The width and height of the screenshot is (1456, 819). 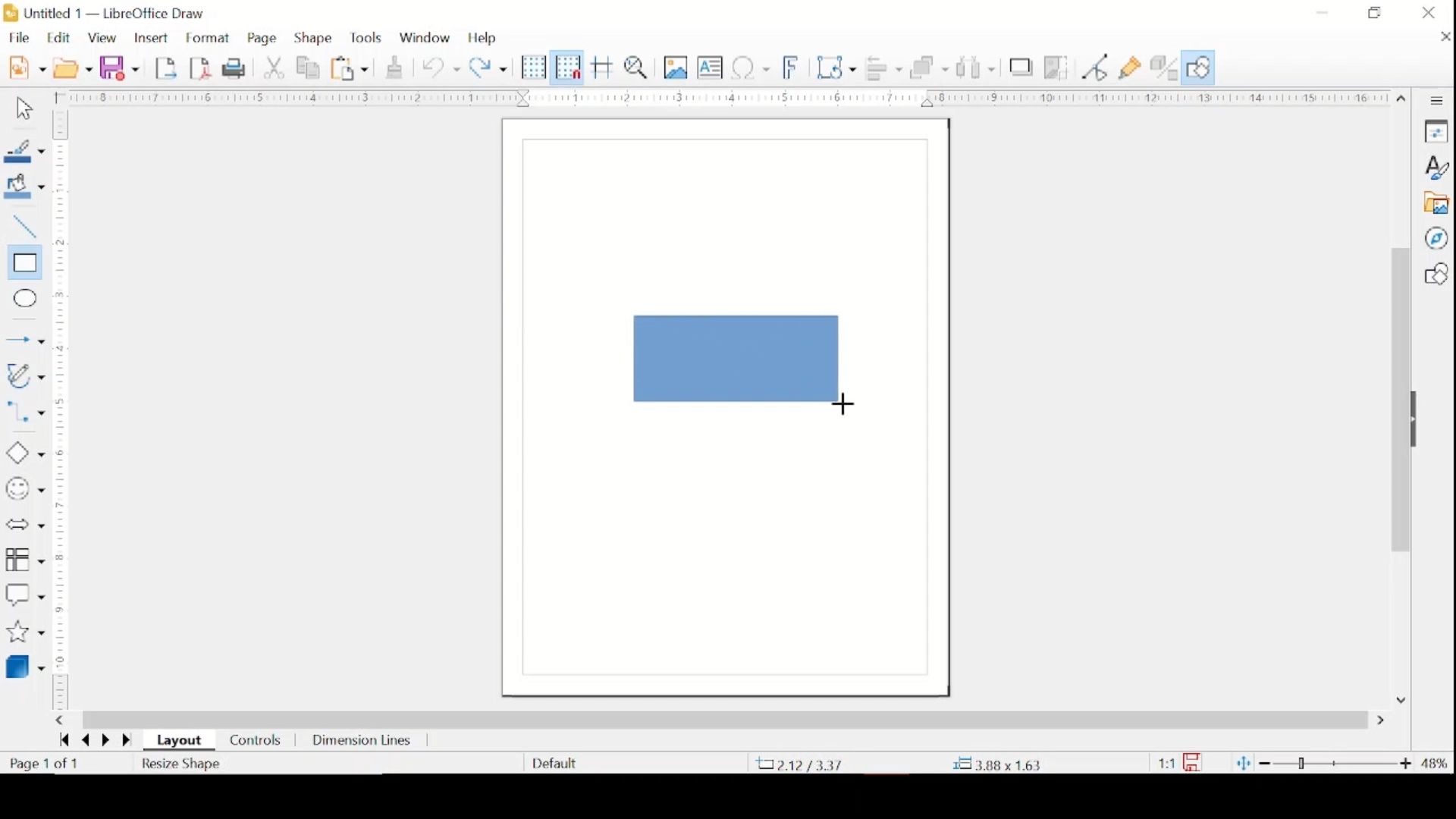 What do you see at coordinates (1399, 698) in the screenshot?
I see `scroll down arrow` at bounding box center [1399, 698].